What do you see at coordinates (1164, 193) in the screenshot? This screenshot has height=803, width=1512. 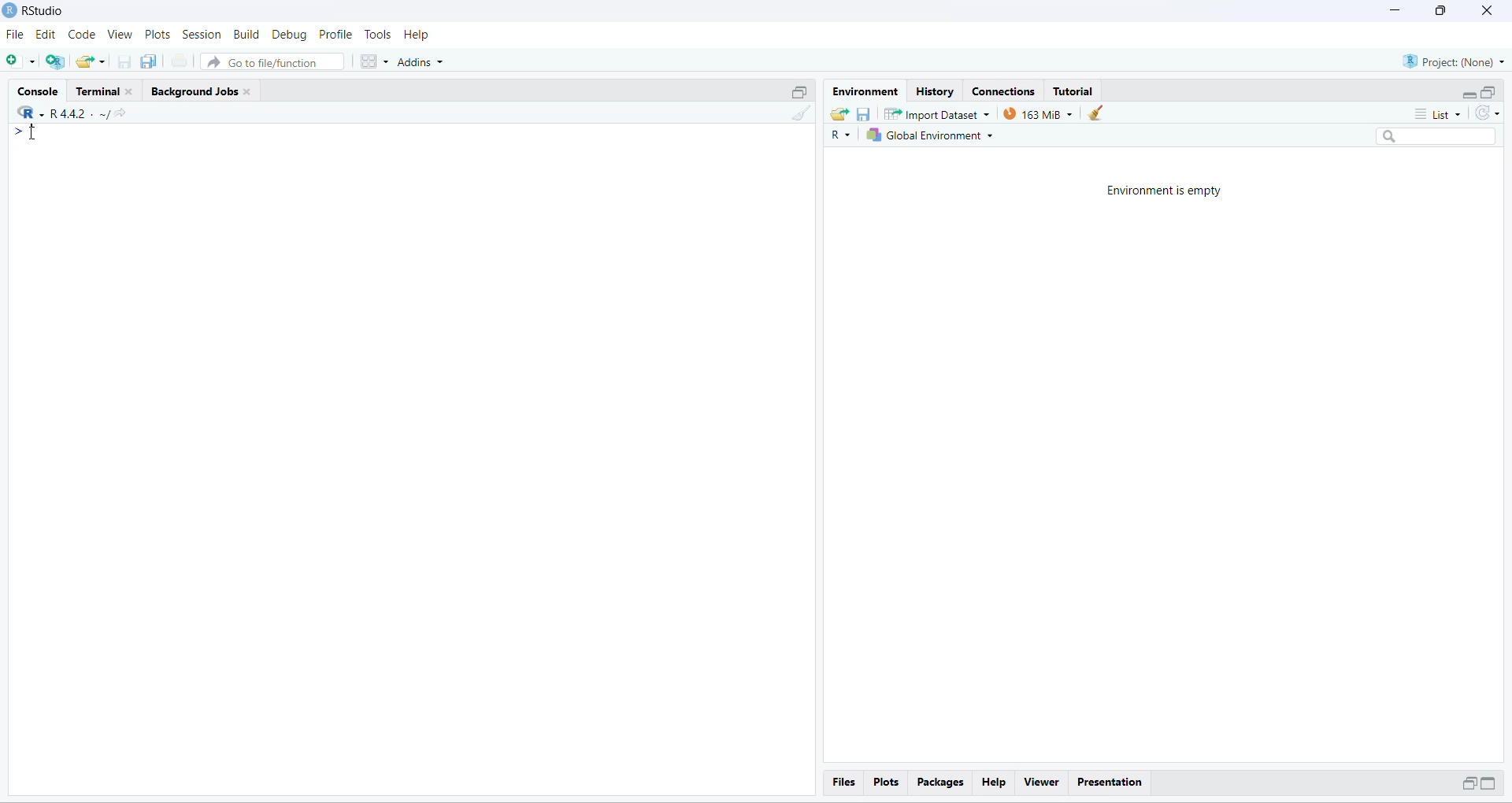 I see `Environment is empty` at bounding box center [1164, 193].